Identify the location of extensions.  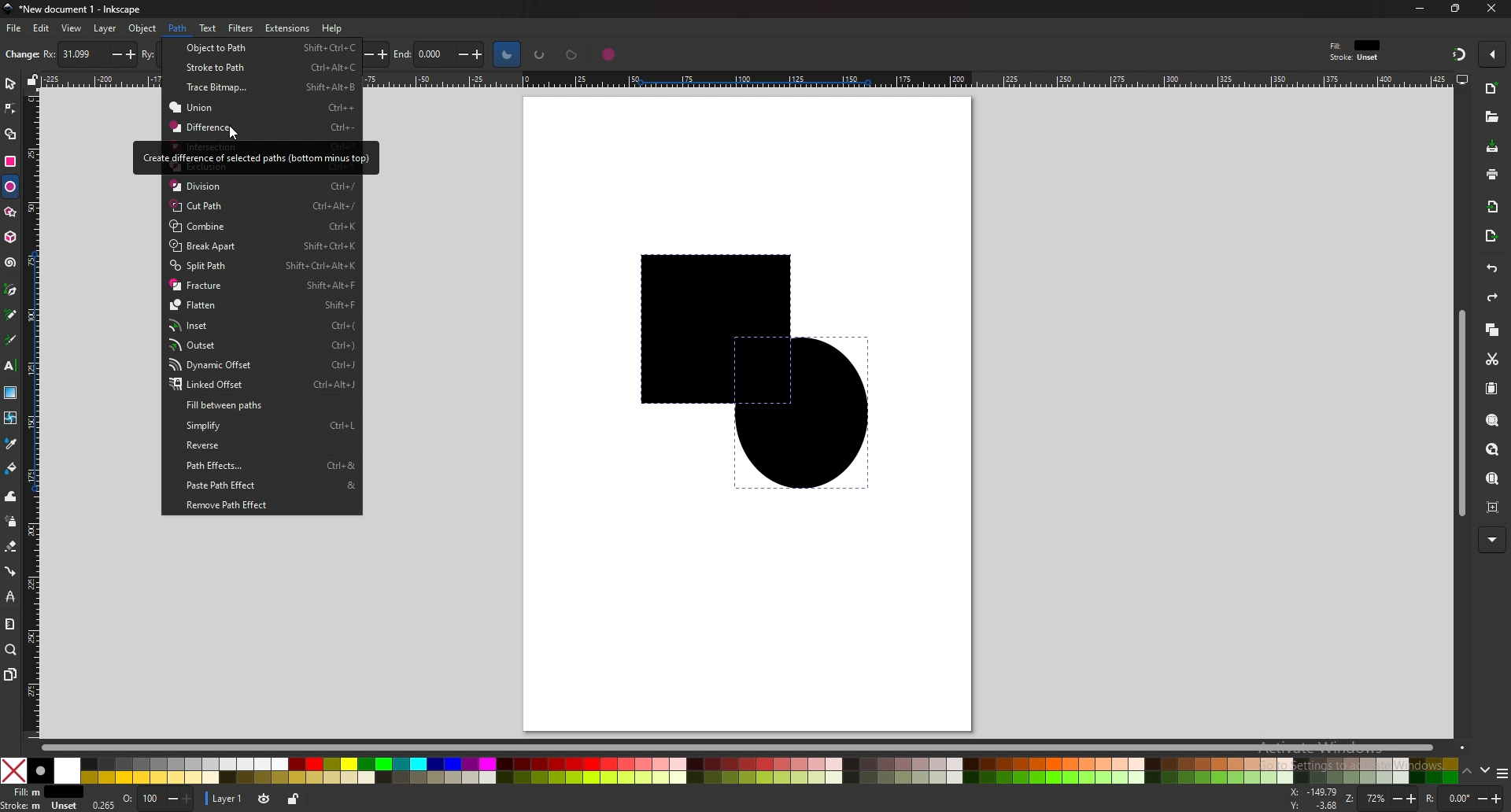
(286, 28).